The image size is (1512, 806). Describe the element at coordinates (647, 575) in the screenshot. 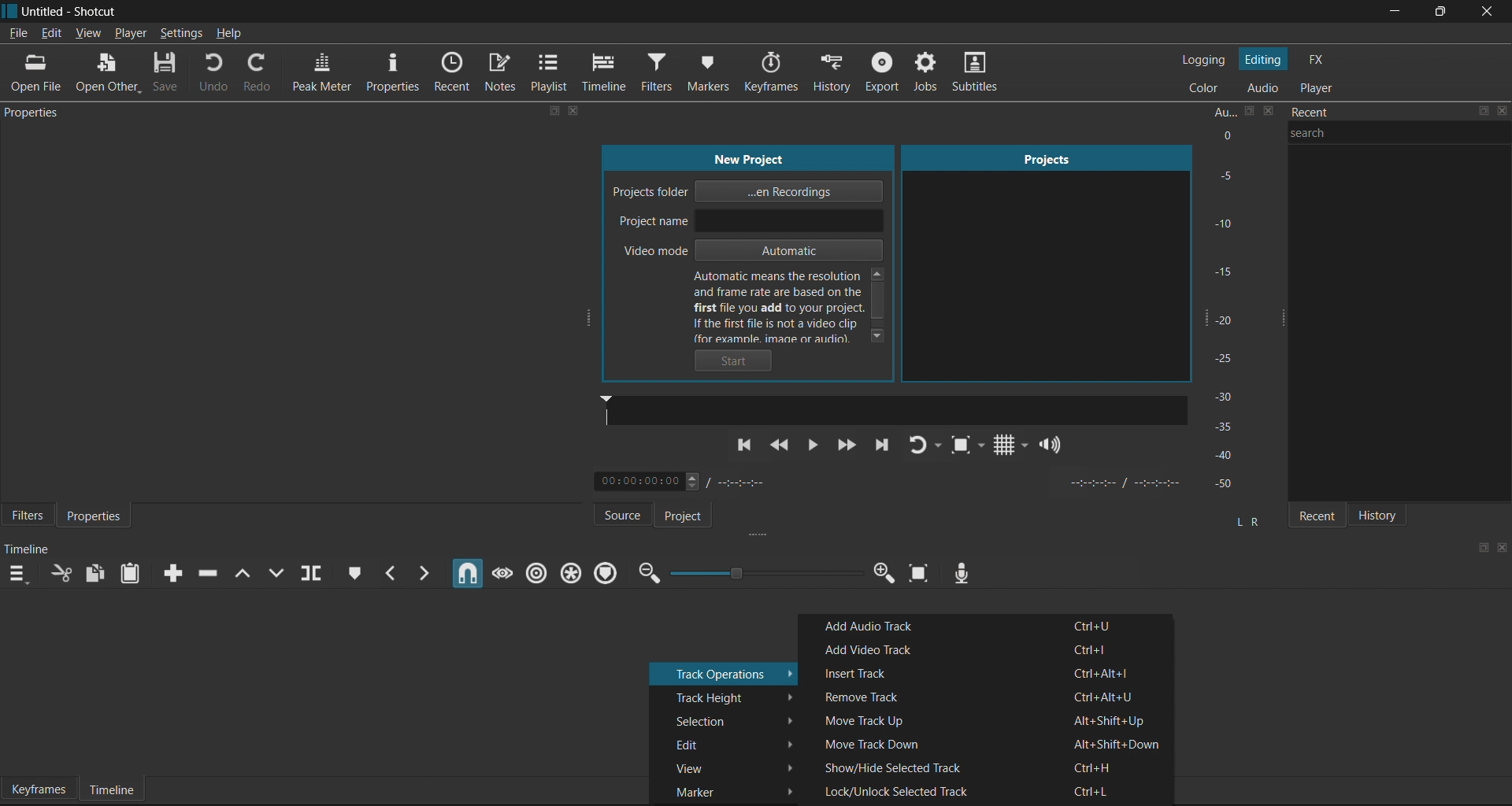

I see `Zoom Out` at that location.